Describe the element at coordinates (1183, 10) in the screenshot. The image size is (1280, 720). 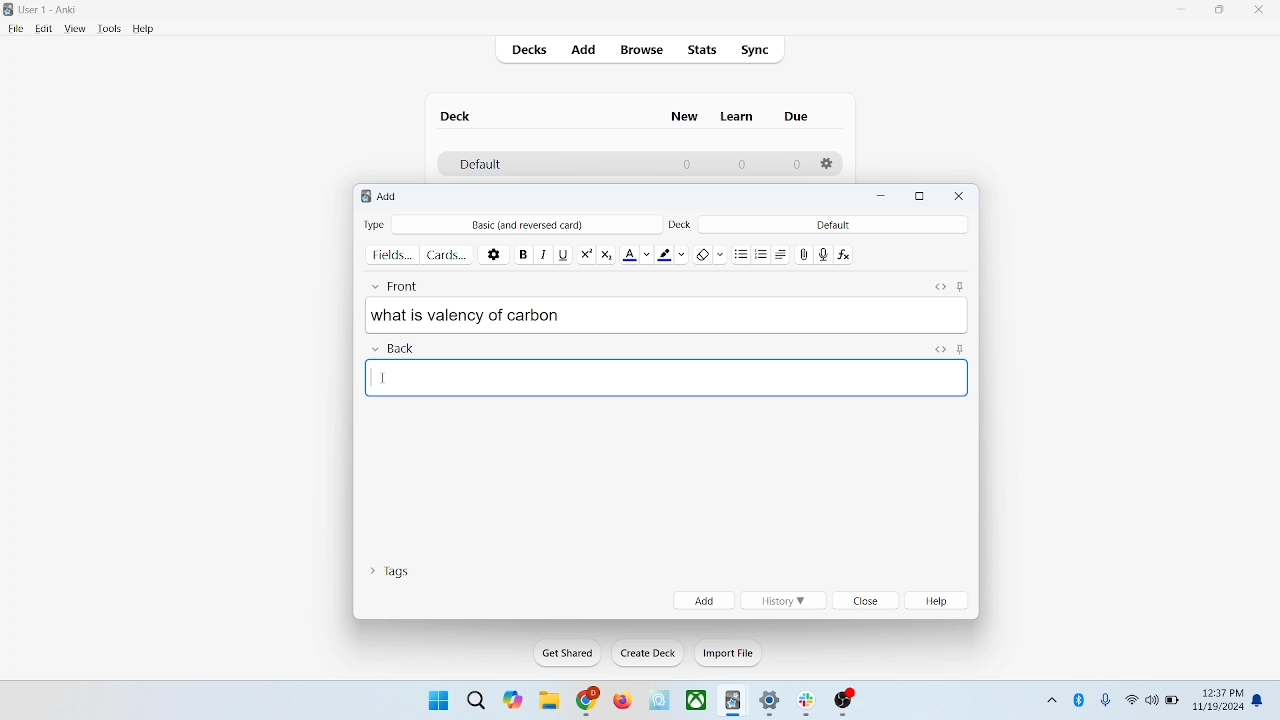
I see `minimize` at that location.